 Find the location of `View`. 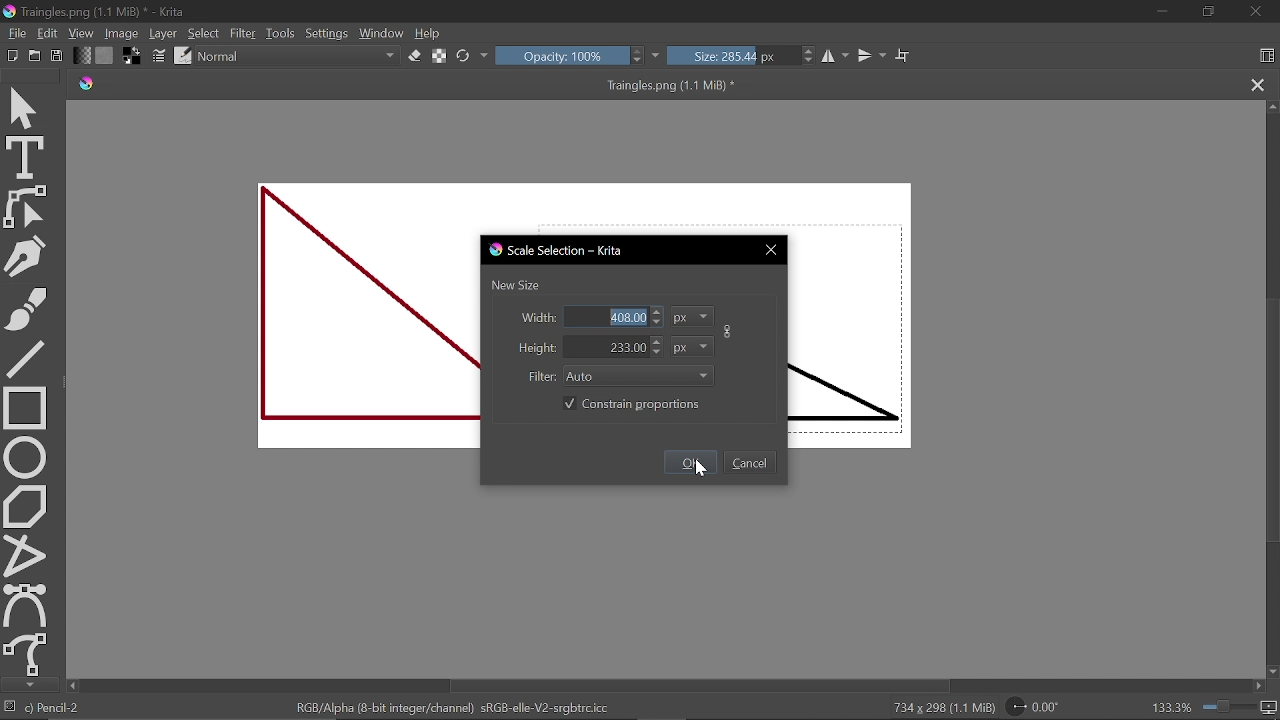

View is located at coordinates (81, 33).